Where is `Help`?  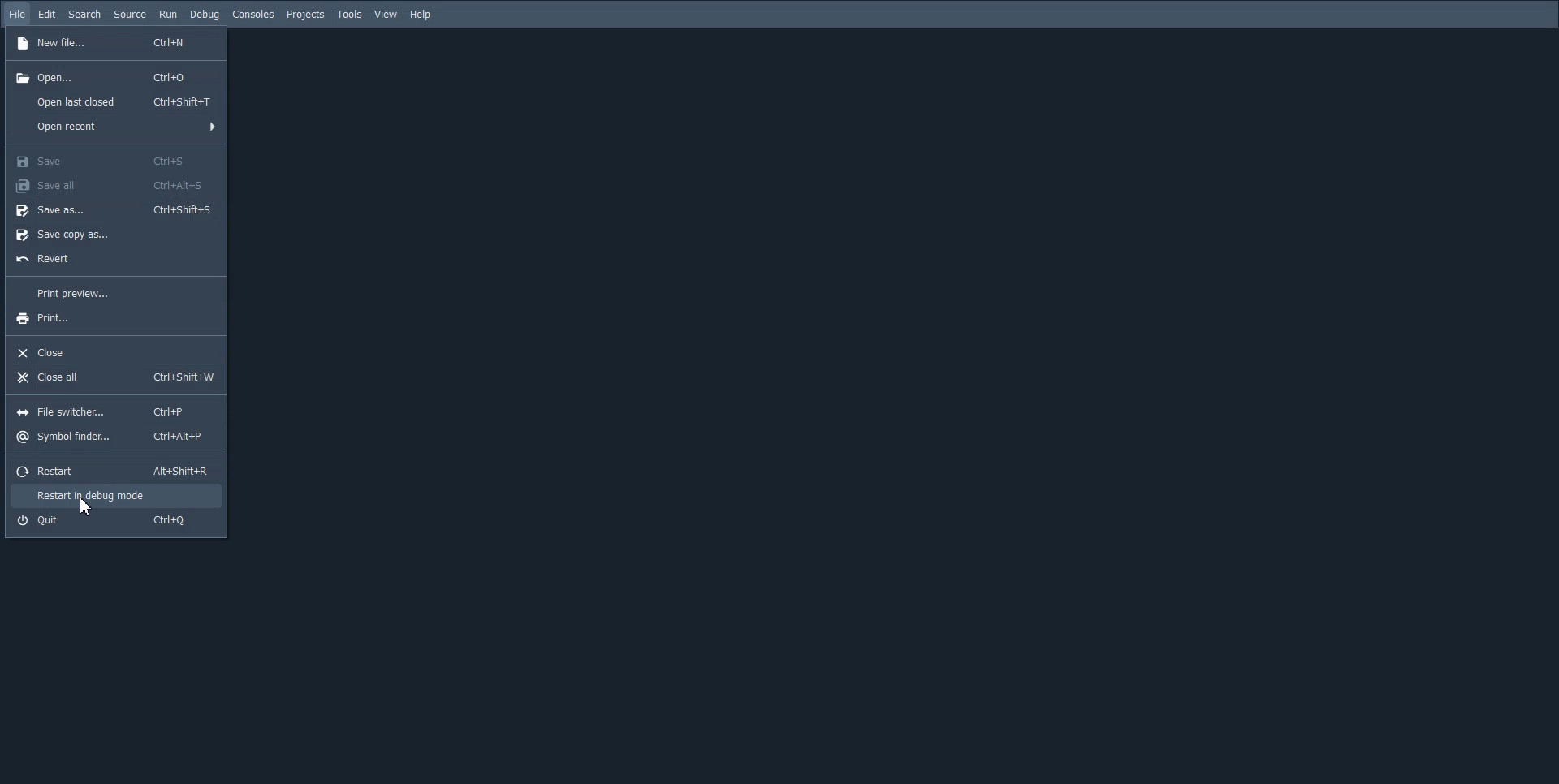
Help is located at coordinates (422, 15).